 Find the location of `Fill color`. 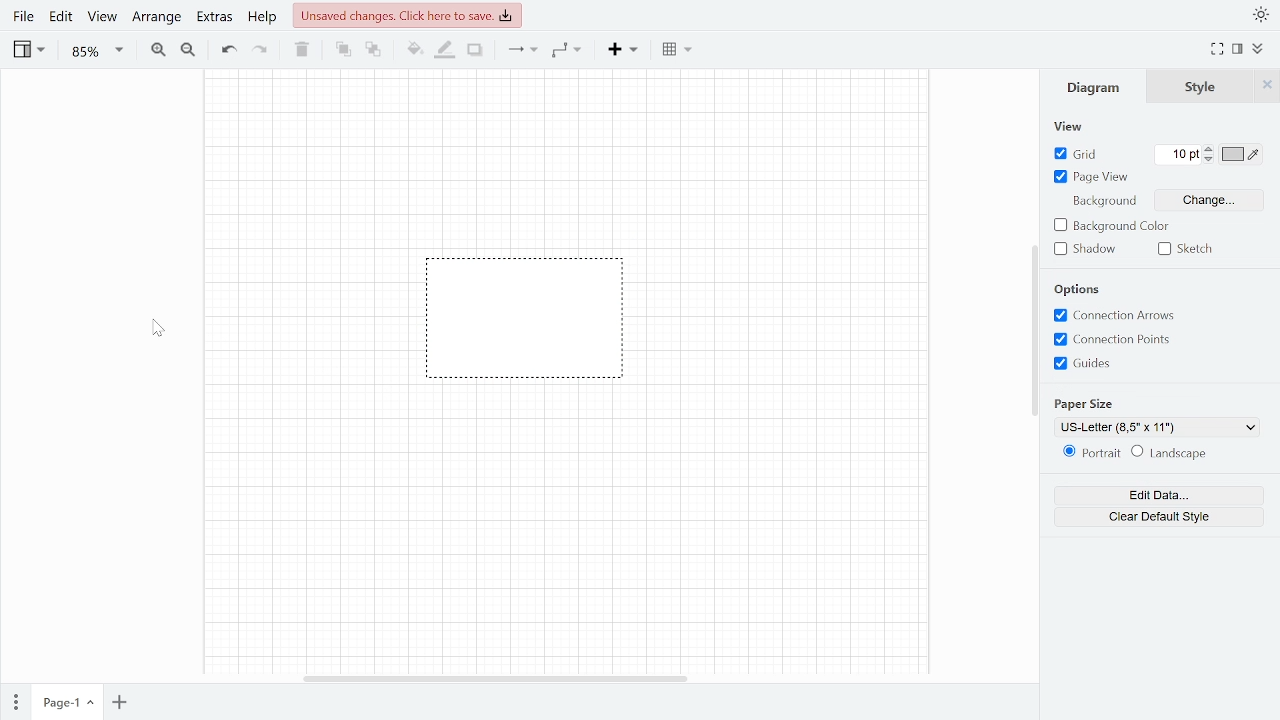

Fill color is located at coordinates (414, 51).